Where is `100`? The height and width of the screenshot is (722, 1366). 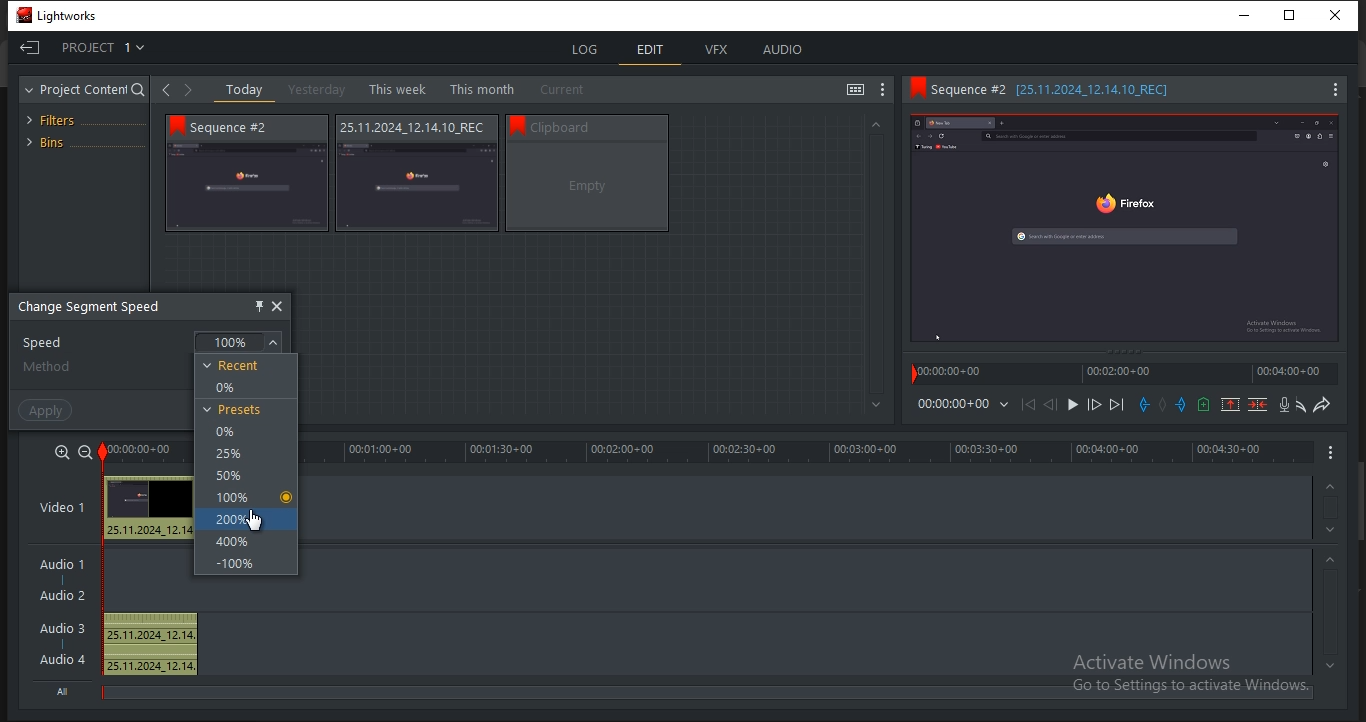
100 is located at coordinates (232, 498).